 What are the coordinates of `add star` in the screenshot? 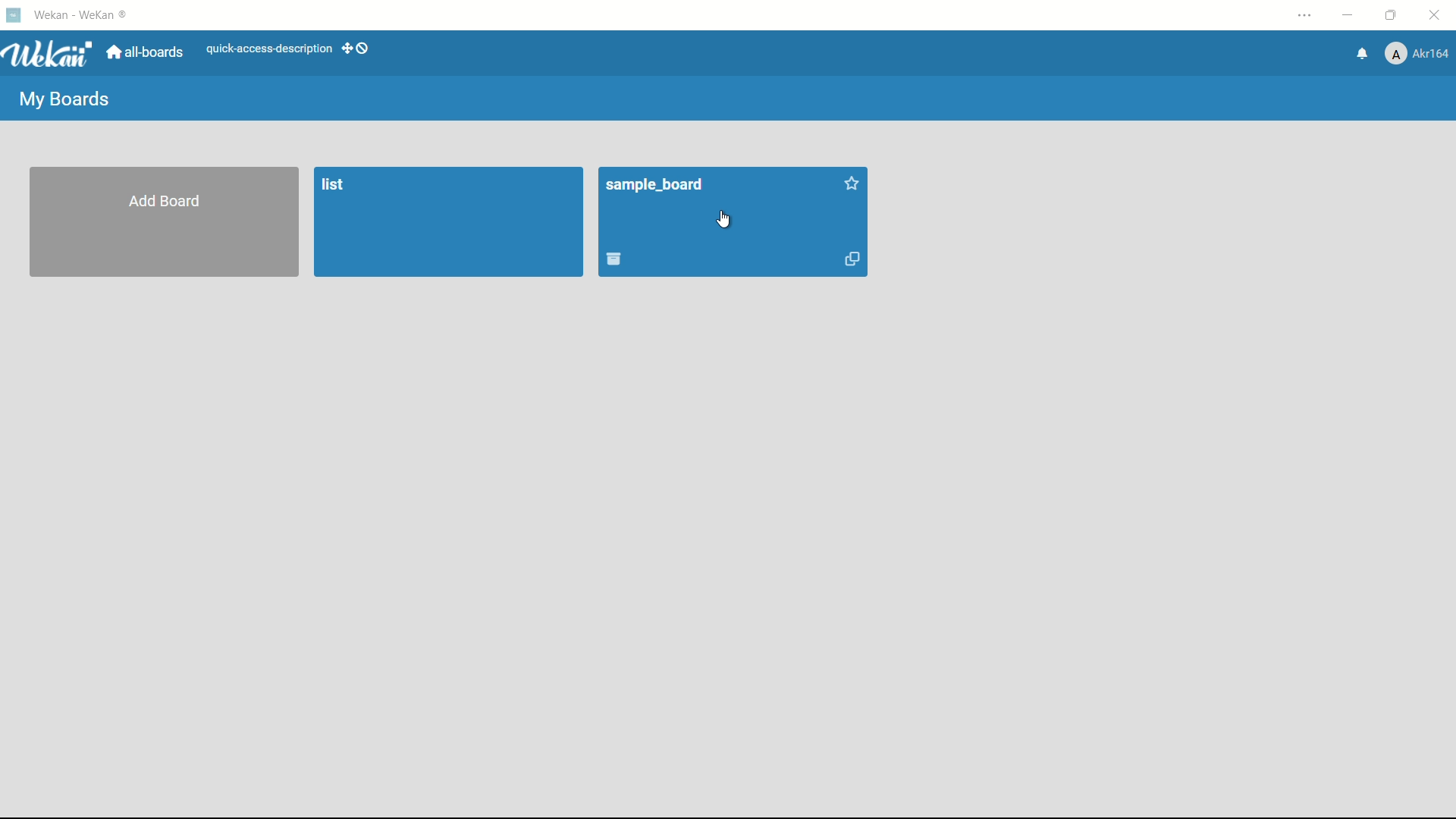 It's located at (854, 184).